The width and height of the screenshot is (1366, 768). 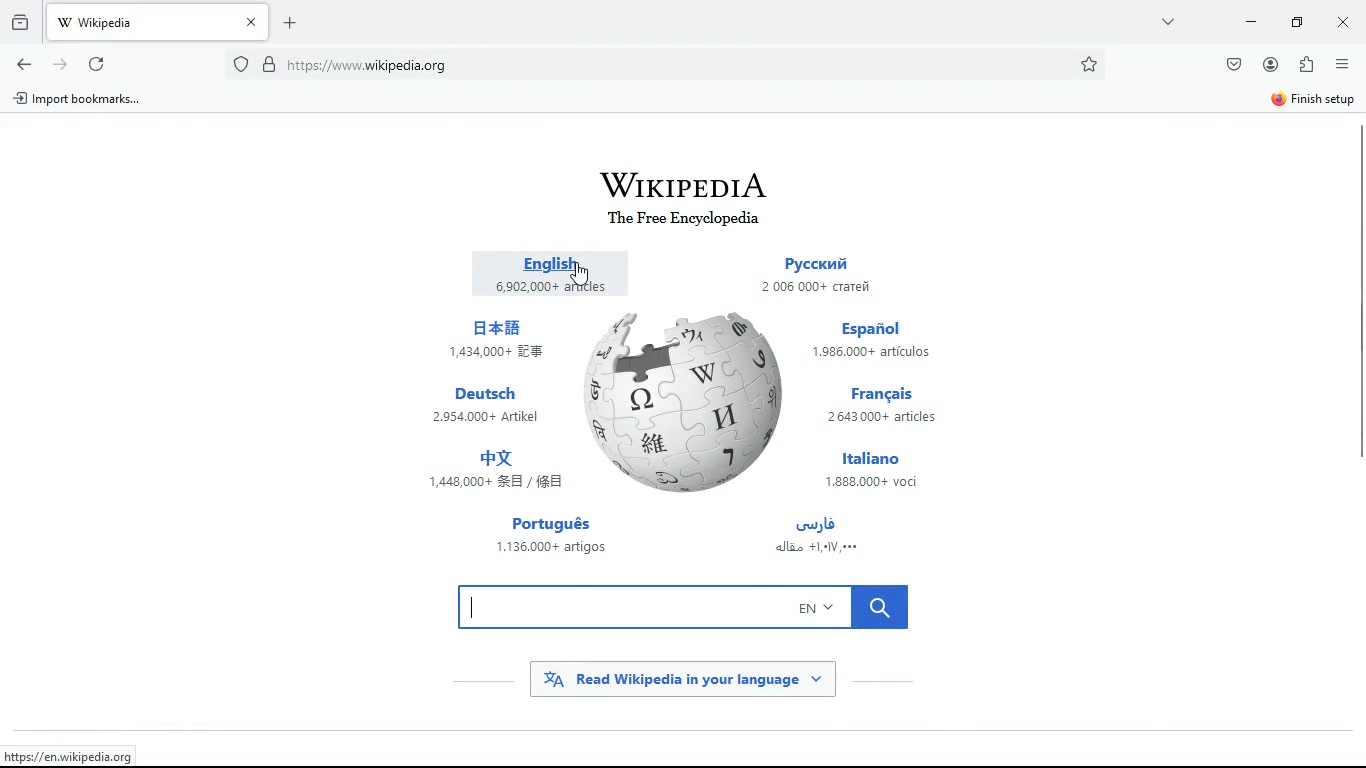 What do you see at coordinates (491, 406) in the screenshot?
I see `deutsch` at bounding box center [491, 406].